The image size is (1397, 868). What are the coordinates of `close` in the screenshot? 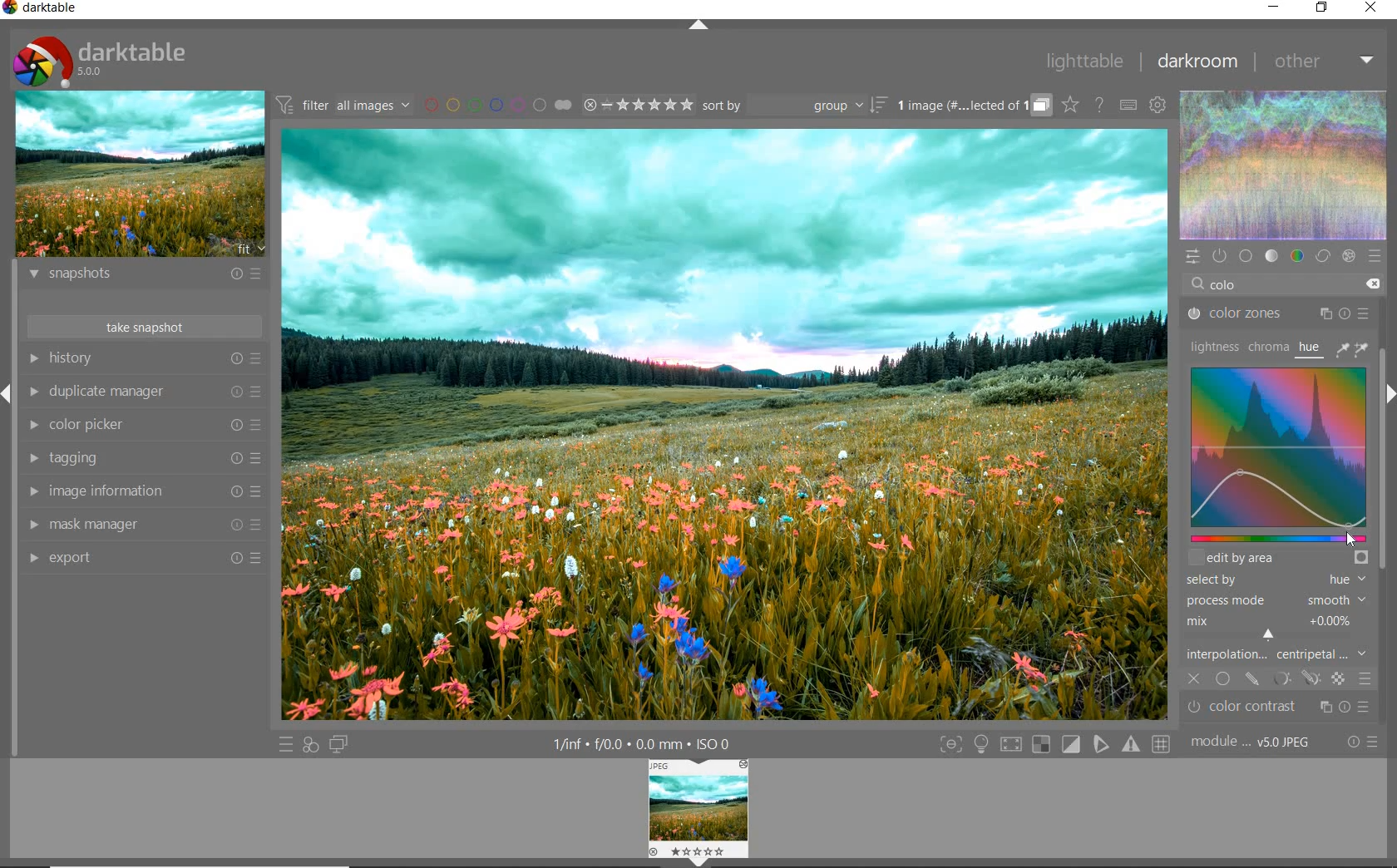 It's located at (1372, 7).